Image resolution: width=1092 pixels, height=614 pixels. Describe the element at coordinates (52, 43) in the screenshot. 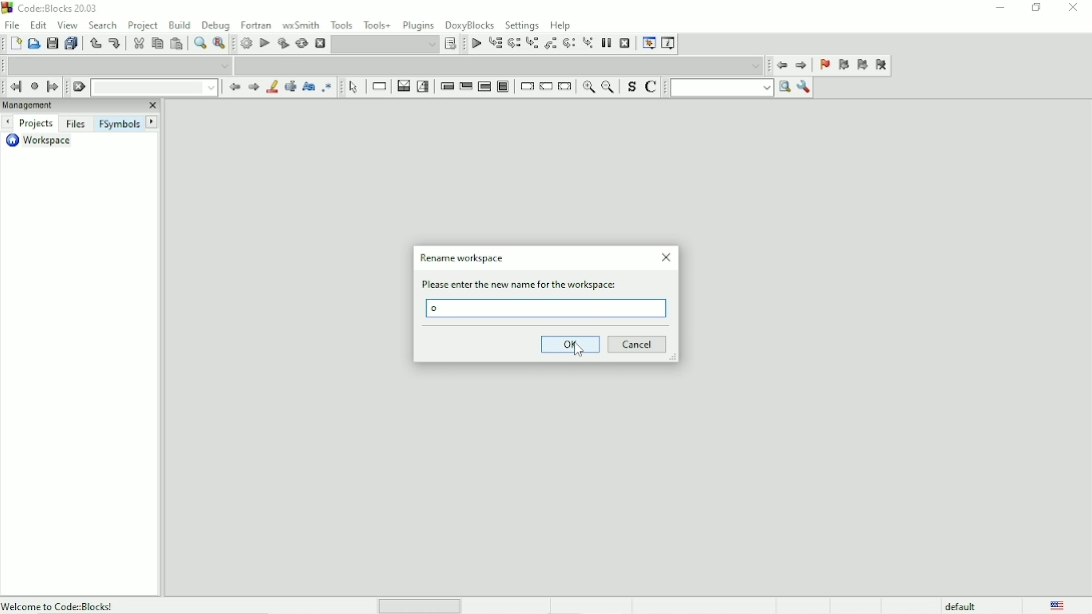

I see `Save` at that location.